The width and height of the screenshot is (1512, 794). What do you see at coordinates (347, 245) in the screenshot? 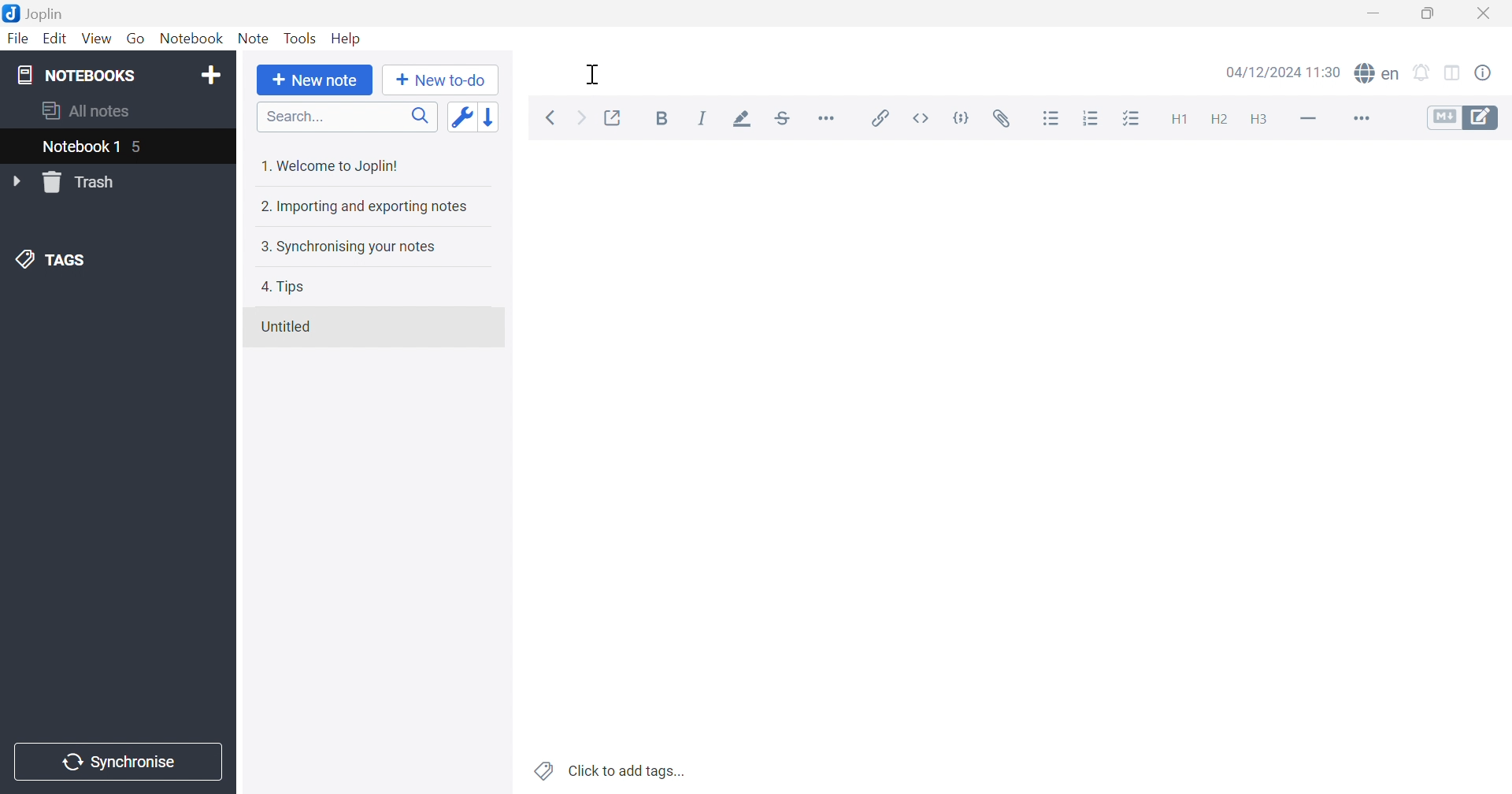
I see `3. Synchronising your notes` at bounding box center [347, 245].